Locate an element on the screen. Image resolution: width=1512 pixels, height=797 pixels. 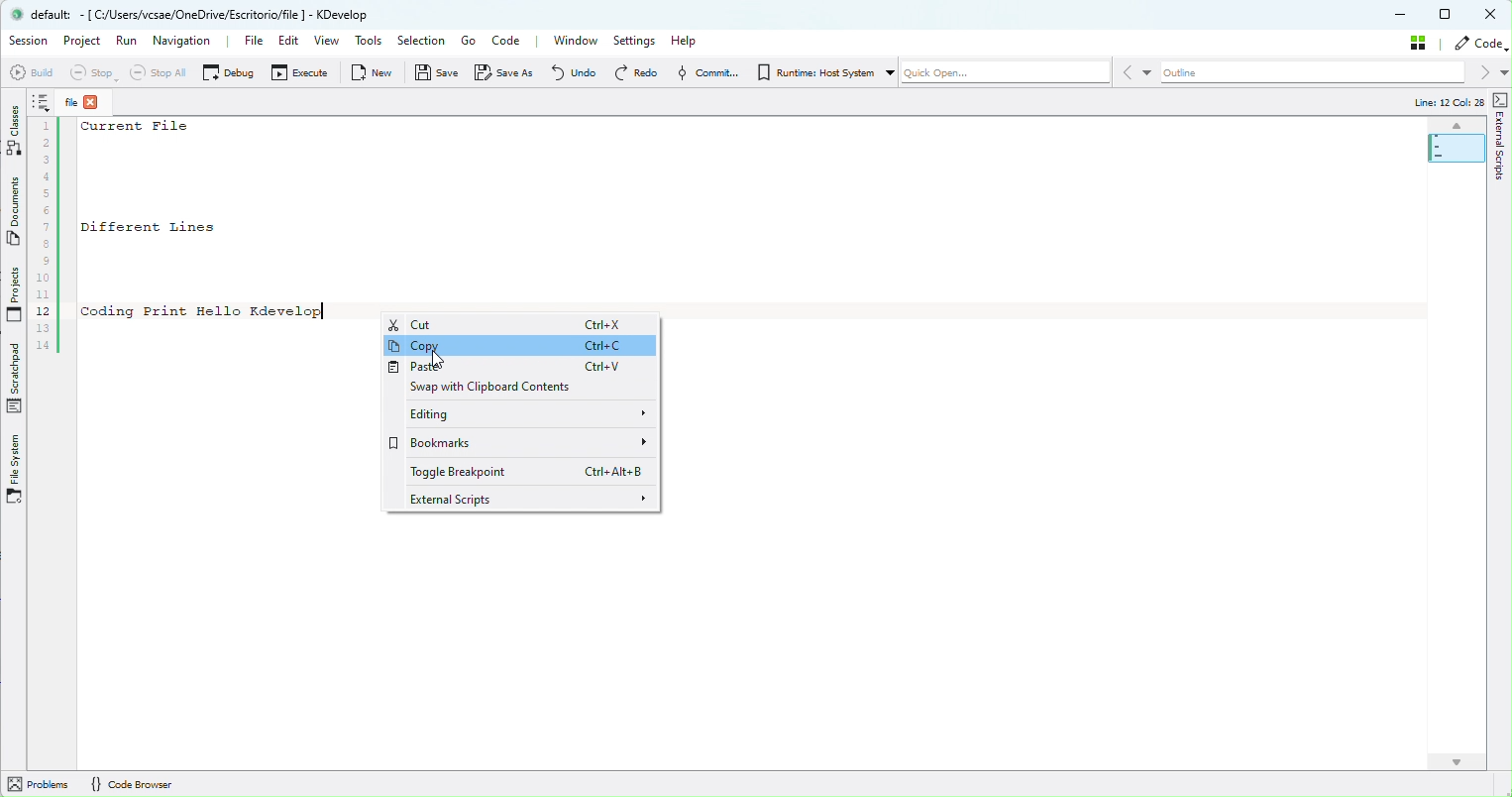
Commit is located at coordinates (707, 73).